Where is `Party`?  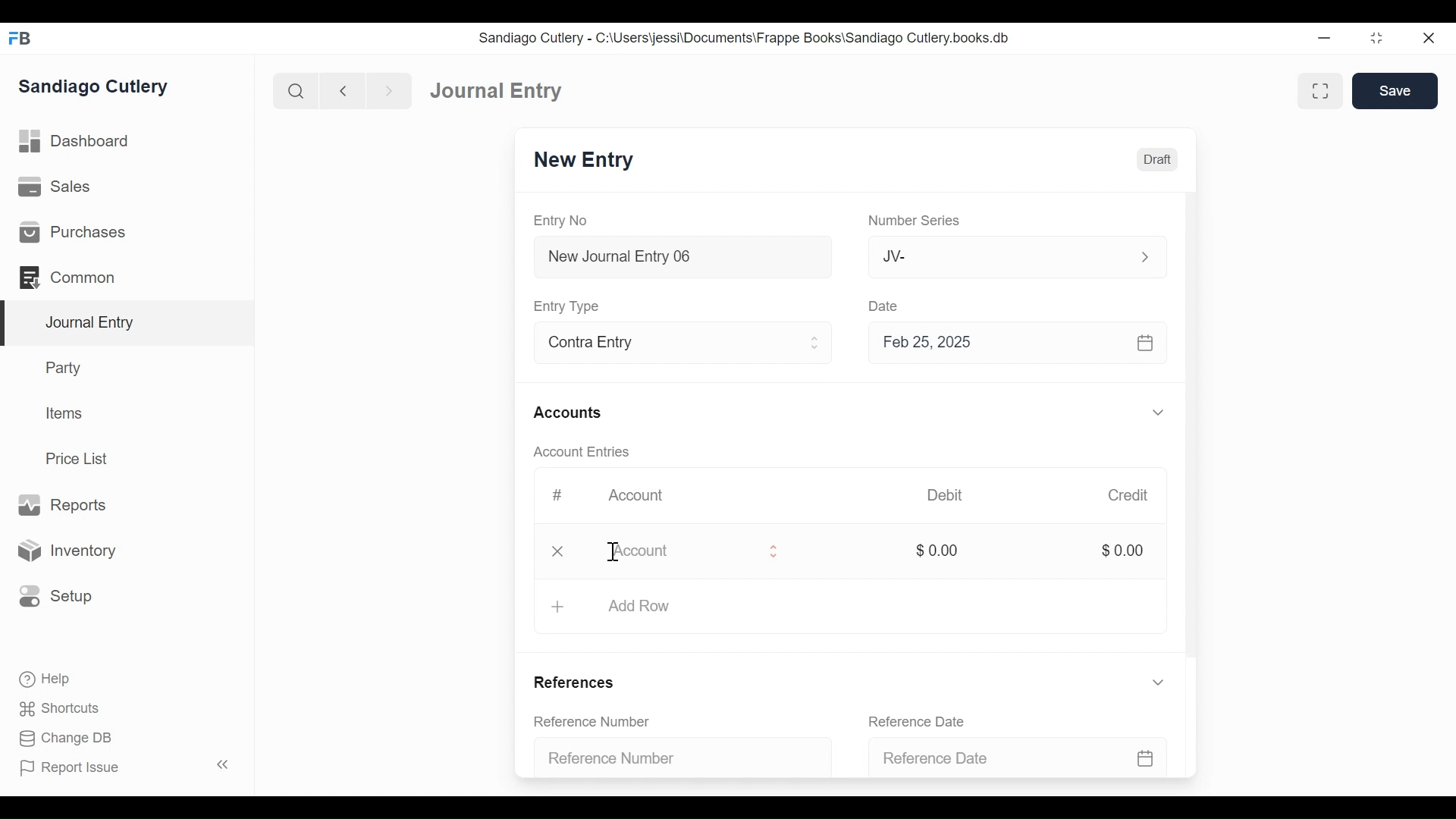 Party is located at coordinates (67, 367).